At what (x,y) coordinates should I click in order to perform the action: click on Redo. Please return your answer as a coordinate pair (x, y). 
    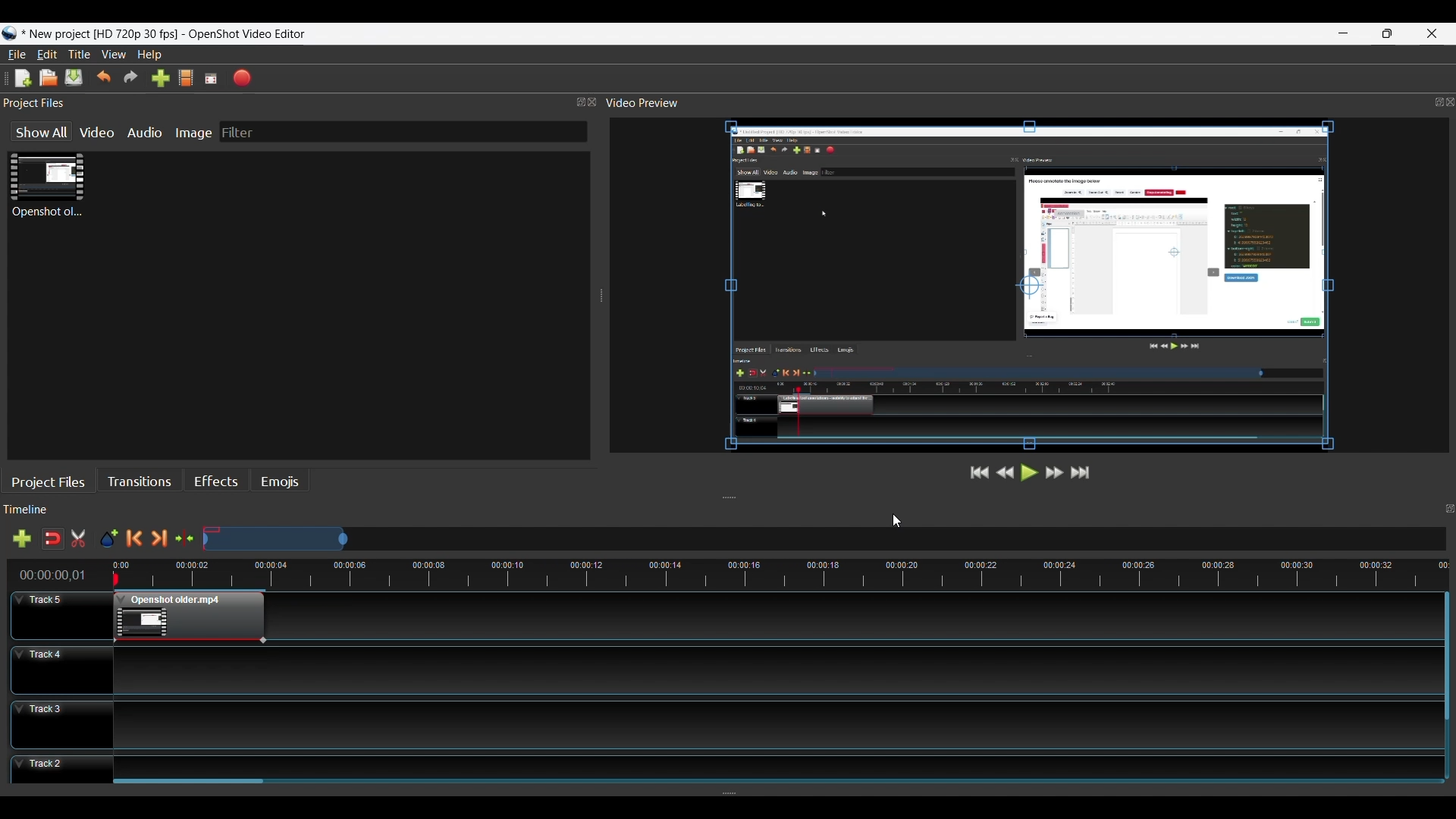
    Looking at the image, I should click on (133, 79).